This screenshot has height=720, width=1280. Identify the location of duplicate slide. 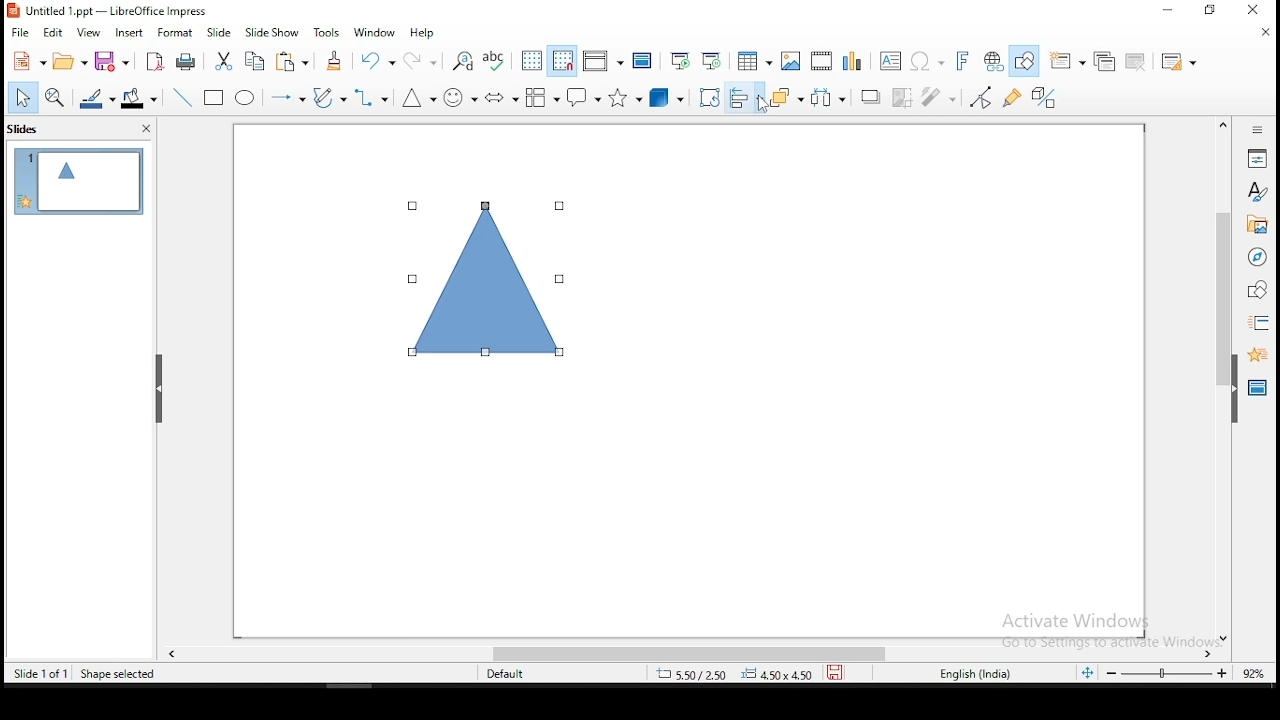
(1104, 58).